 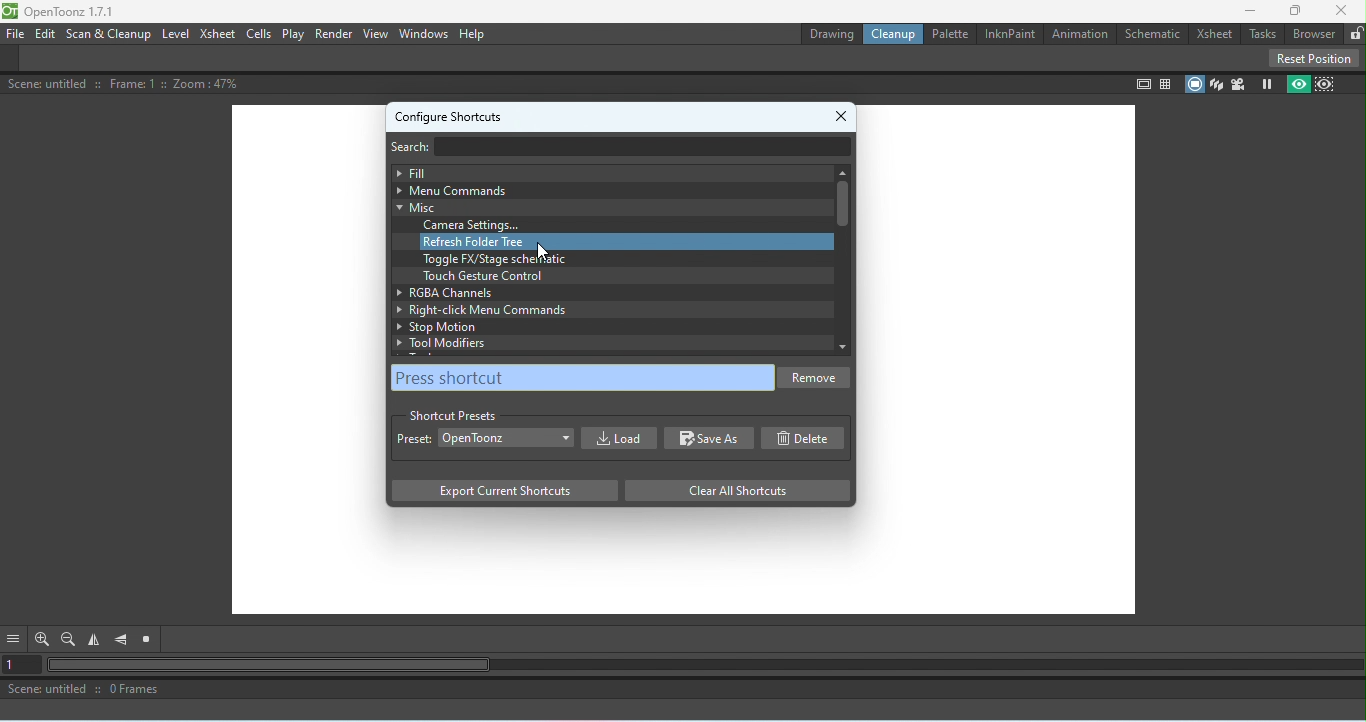 What do you see at coordinates (808, 438) in the screenshot?
I see `Delete` at bounding box center [808, 438].